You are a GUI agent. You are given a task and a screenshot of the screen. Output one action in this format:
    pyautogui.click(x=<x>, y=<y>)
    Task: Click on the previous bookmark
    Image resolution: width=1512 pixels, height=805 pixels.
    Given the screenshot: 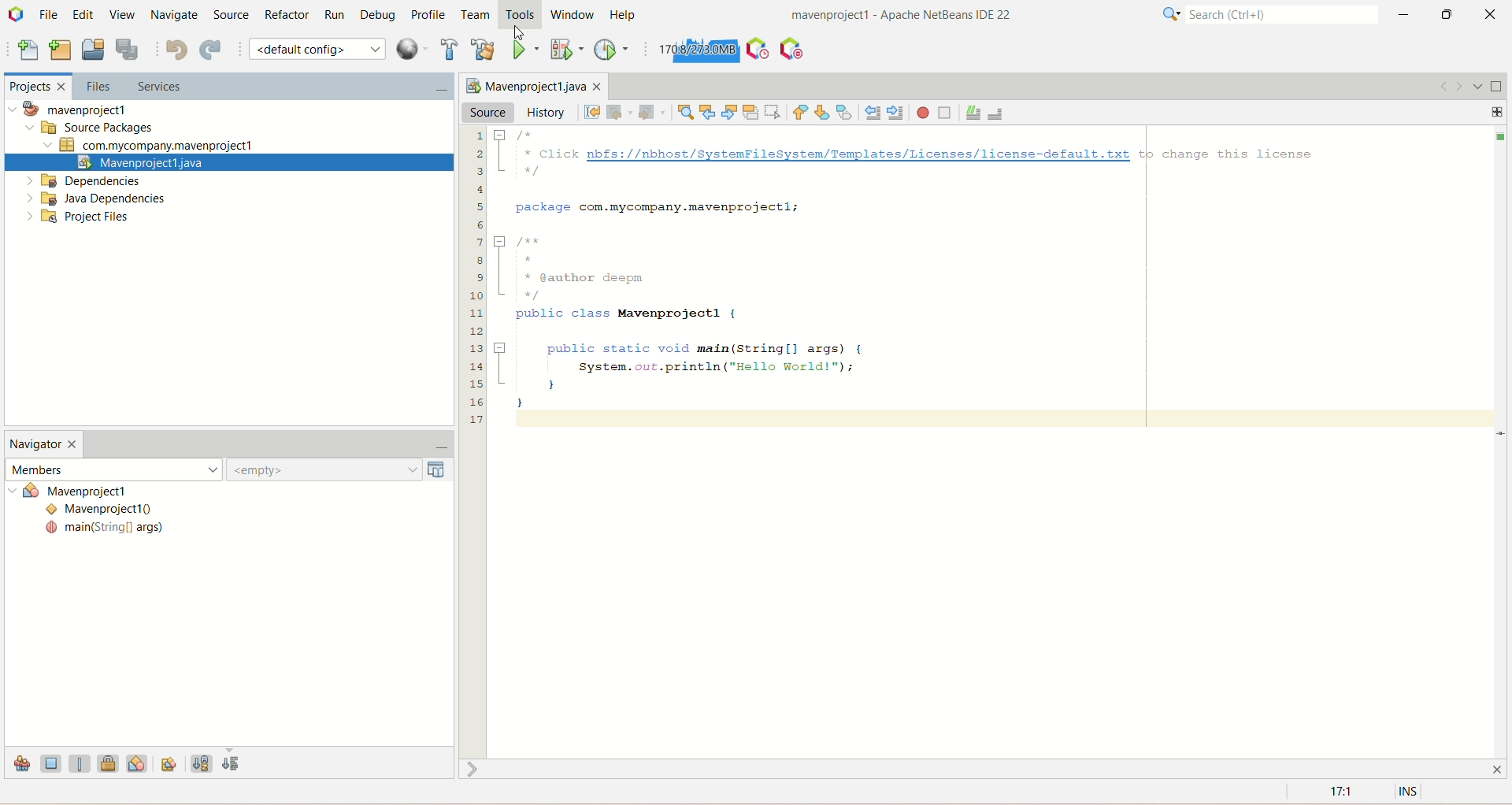 What is the action you would take?
    pyautogui.click(x=801, y=113)
    